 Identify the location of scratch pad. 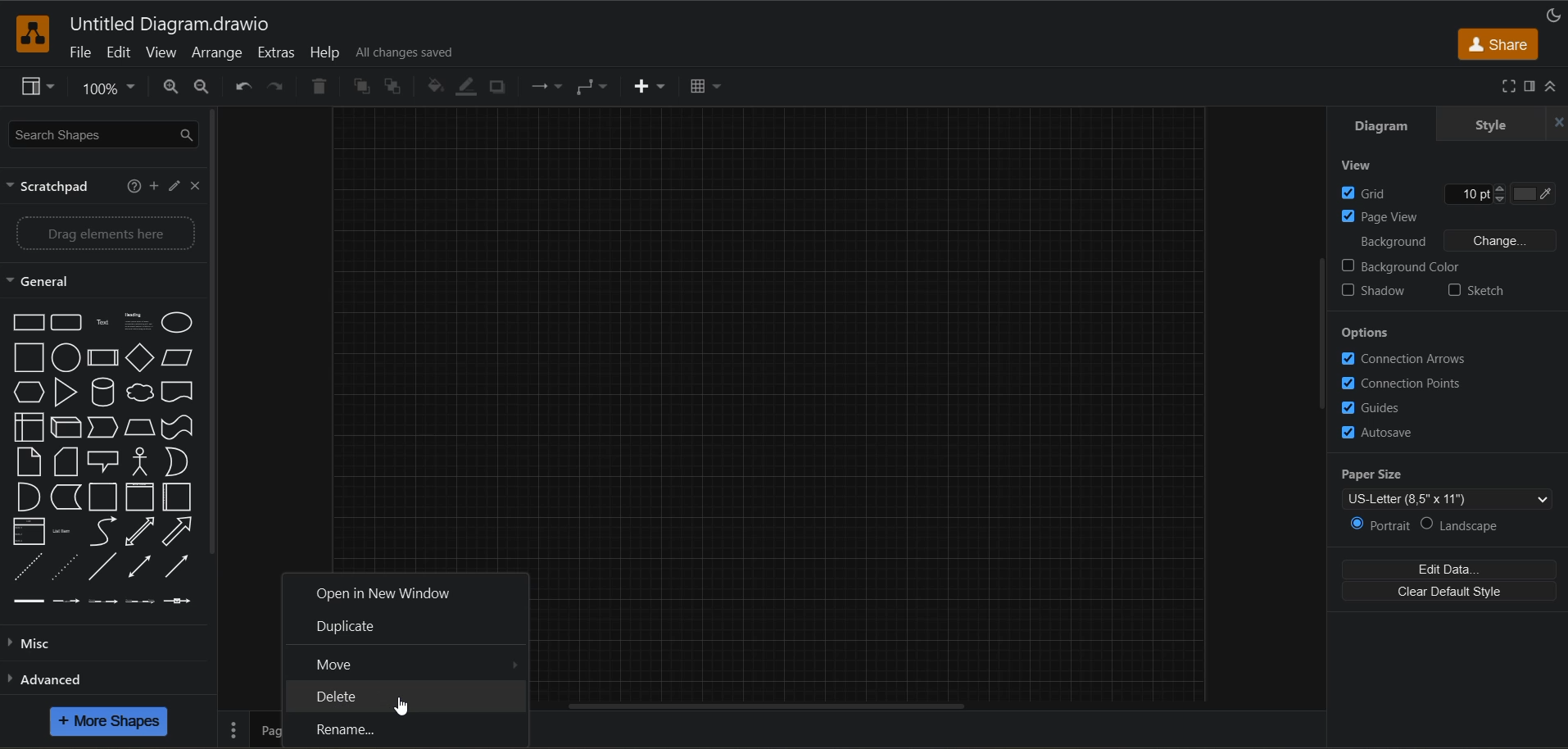
(56, 187).